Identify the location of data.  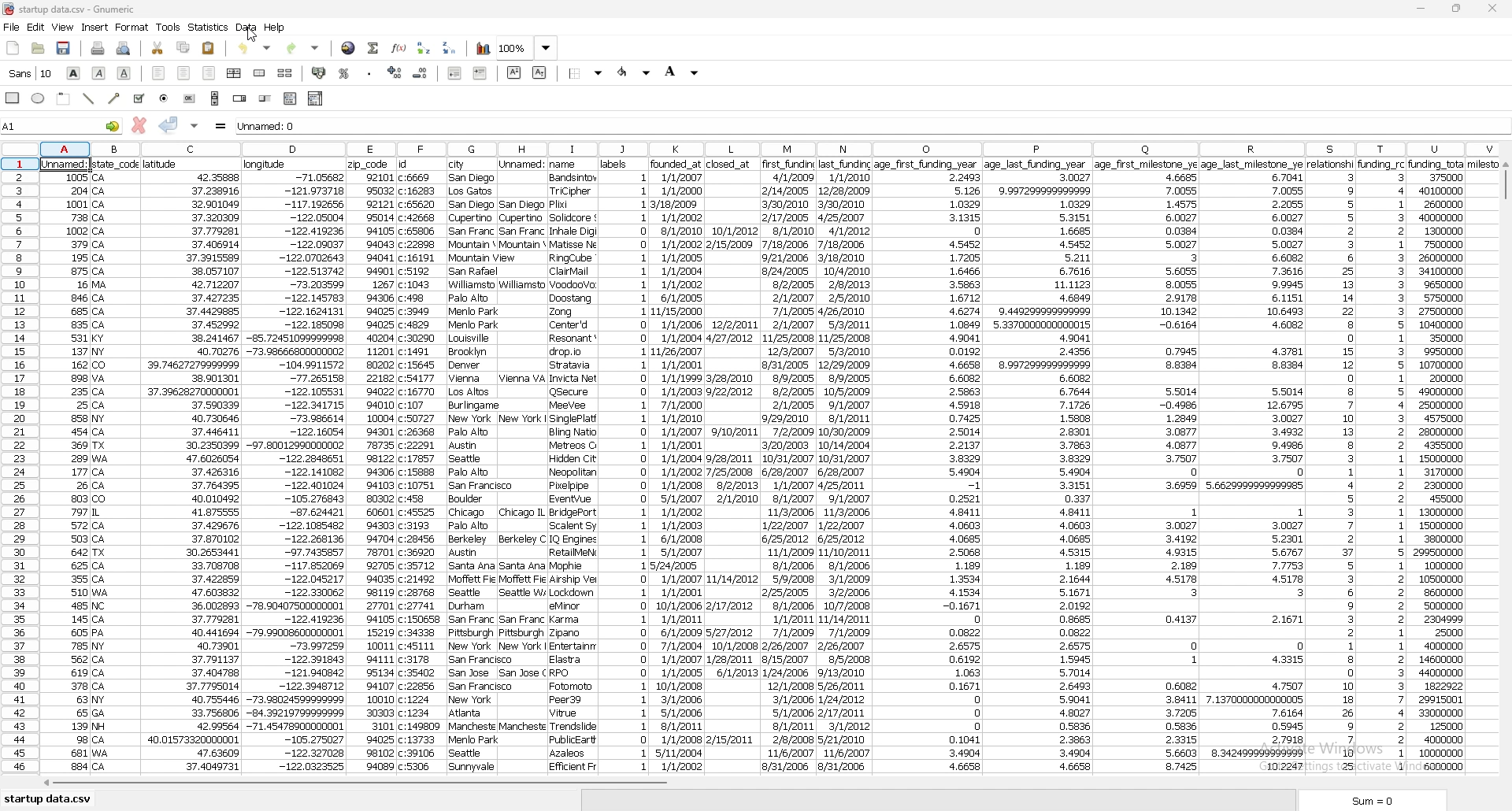
(372, 467).